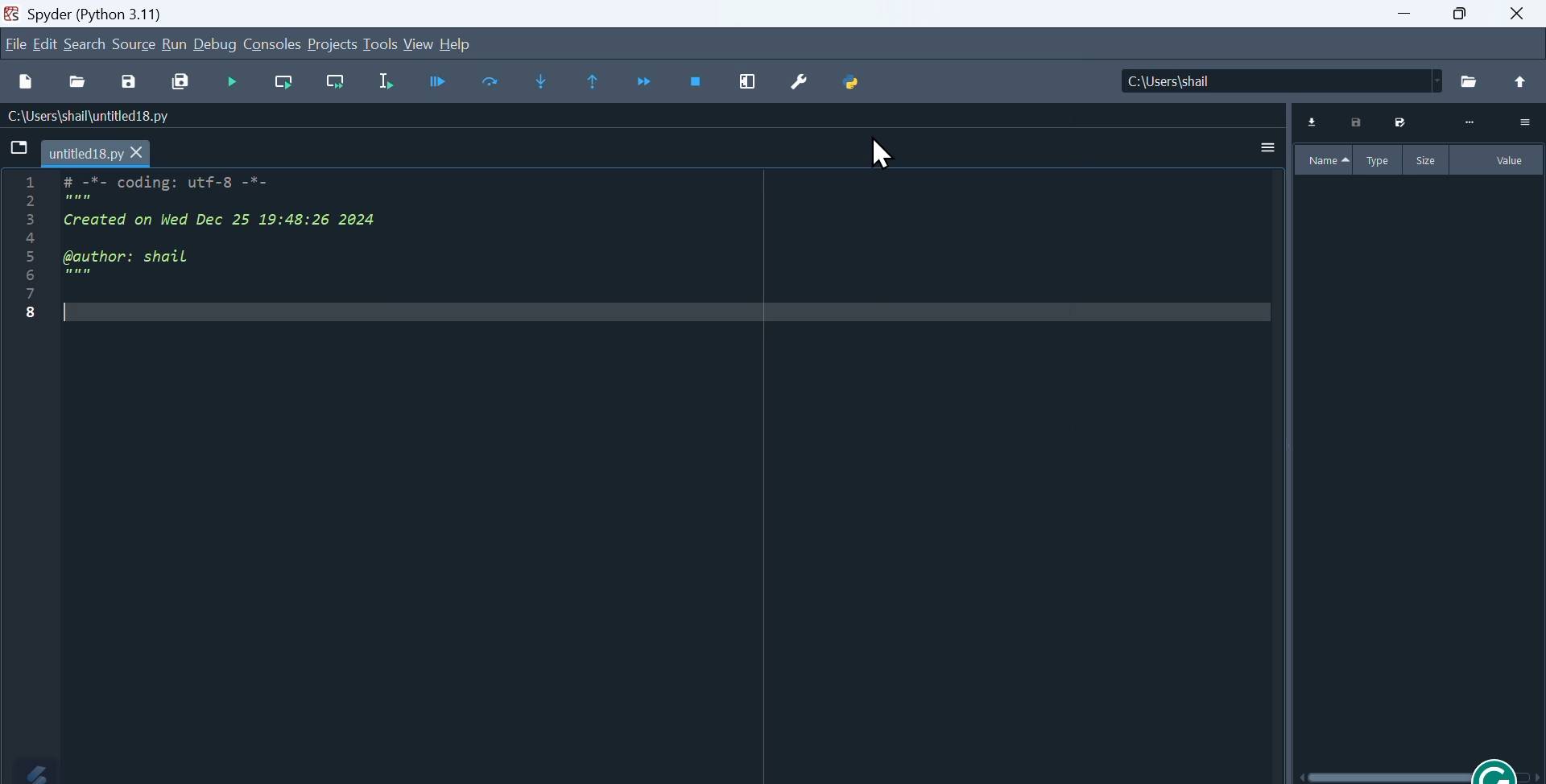 This screenshot has height=784, width=1546. I want to click on help, so click(467, 43).